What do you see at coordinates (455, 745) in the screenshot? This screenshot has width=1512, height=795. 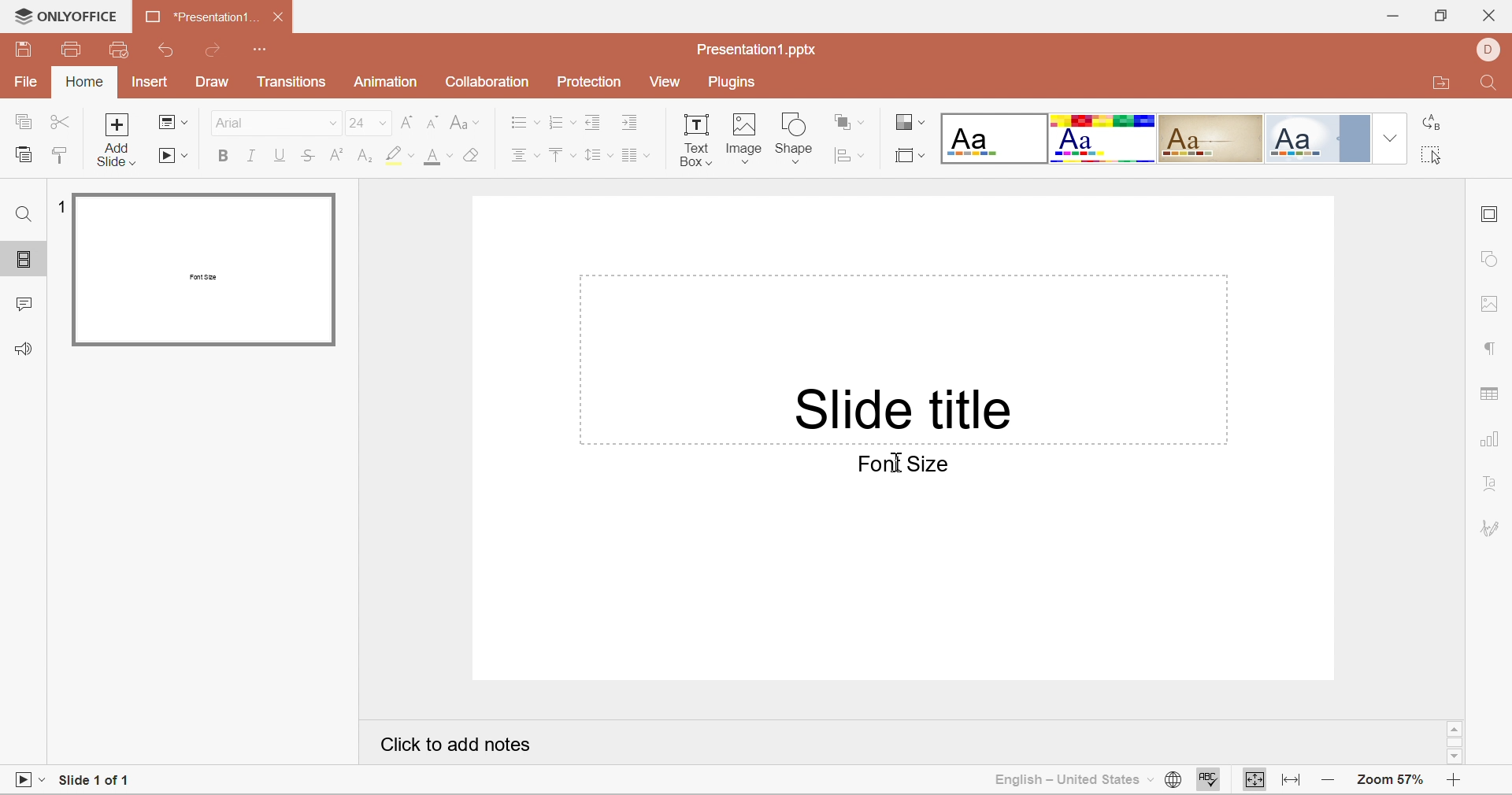 I see `Click to add notes` at bounding box center [455, 745].